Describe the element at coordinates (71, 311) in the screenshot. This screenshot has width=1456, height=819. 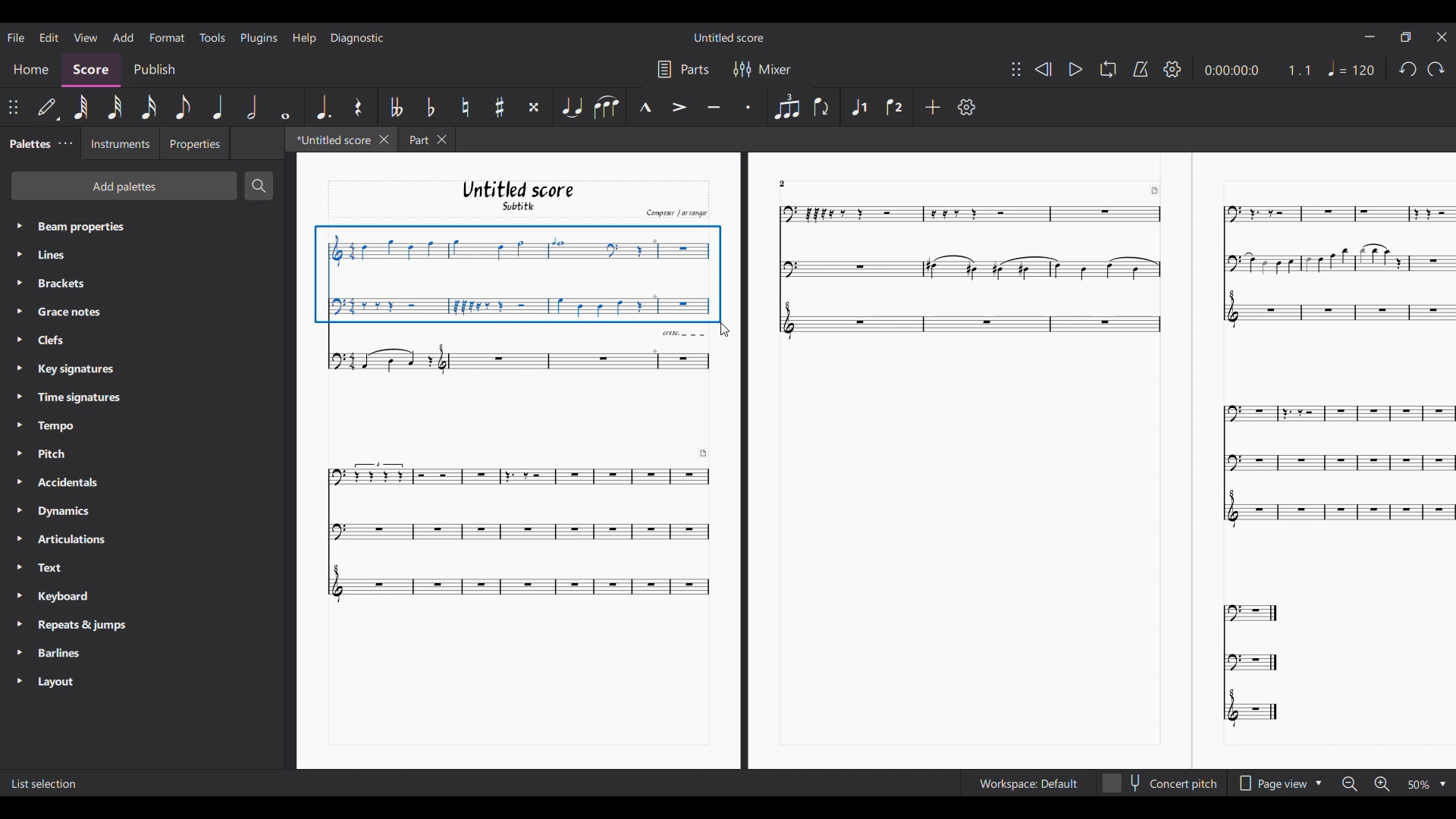
I see `Grace notes` at that location.